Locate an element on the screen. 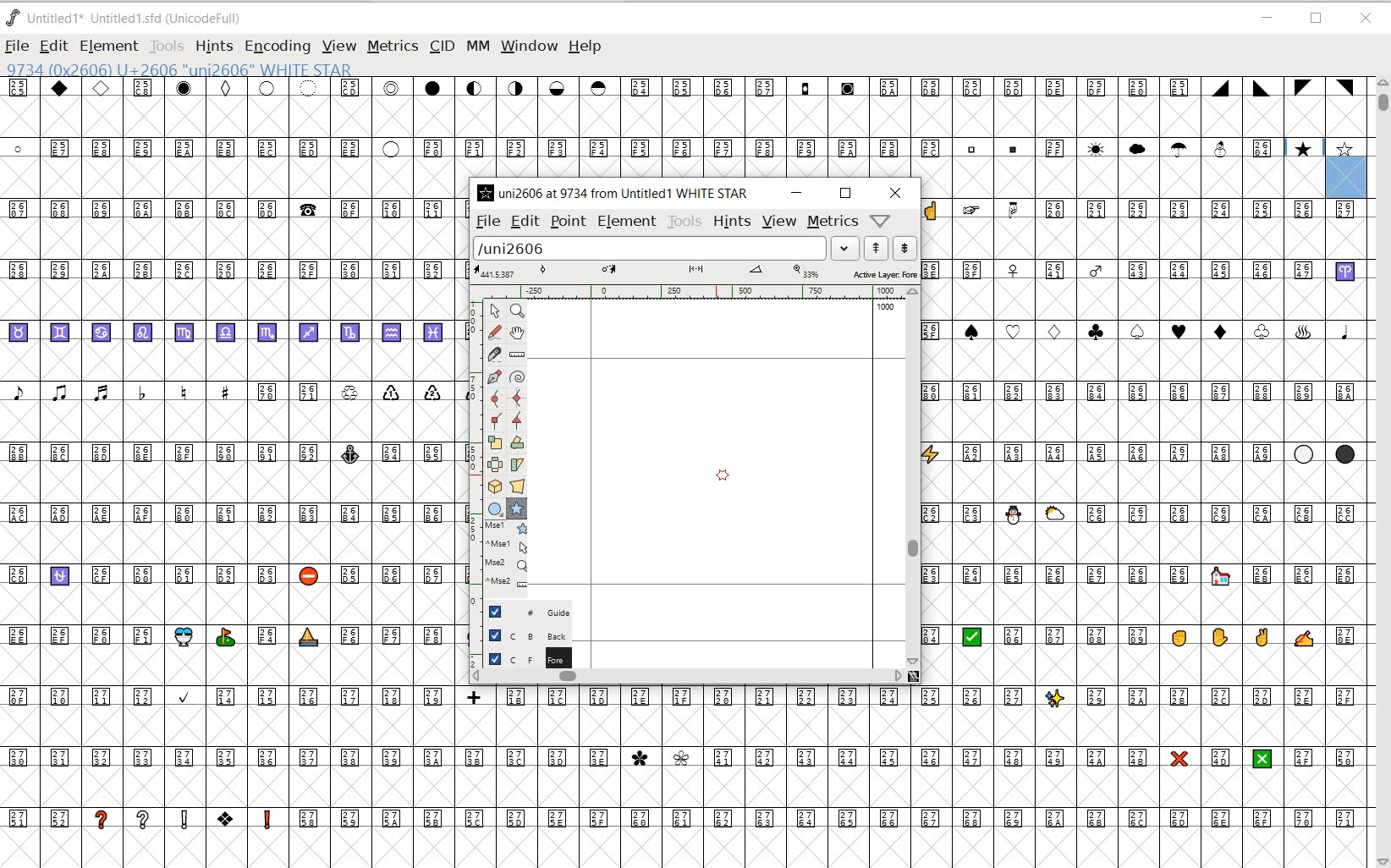 The width and height of the screenshot is (1391, 868). FILE is located at coordinates (487, 222).